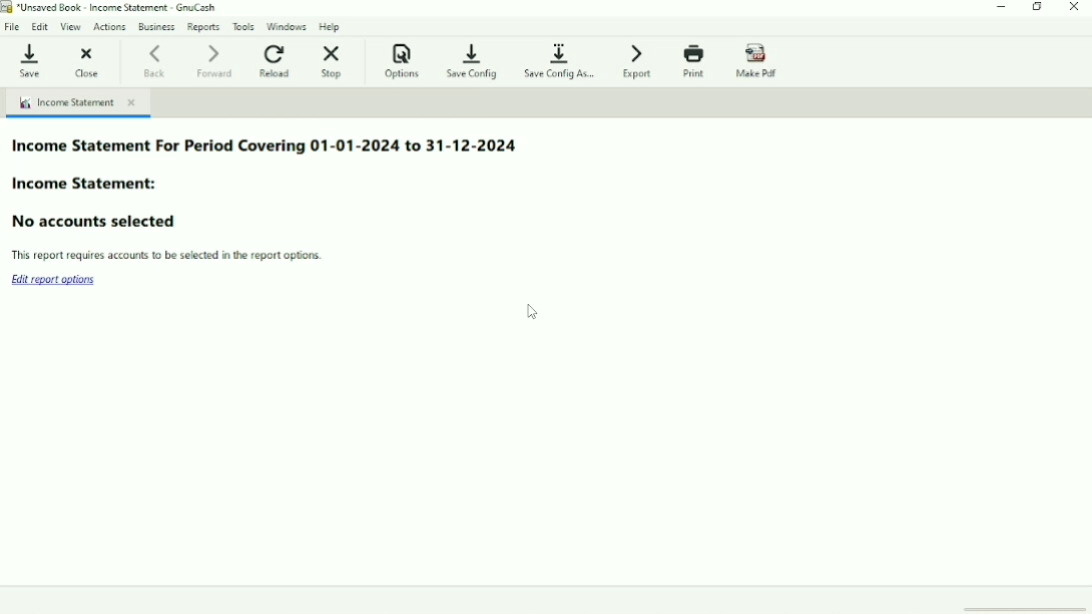  What do you see at coordinates (277, 60) in the screenshot?
I see `Reload` at bounding box center [277, 60].